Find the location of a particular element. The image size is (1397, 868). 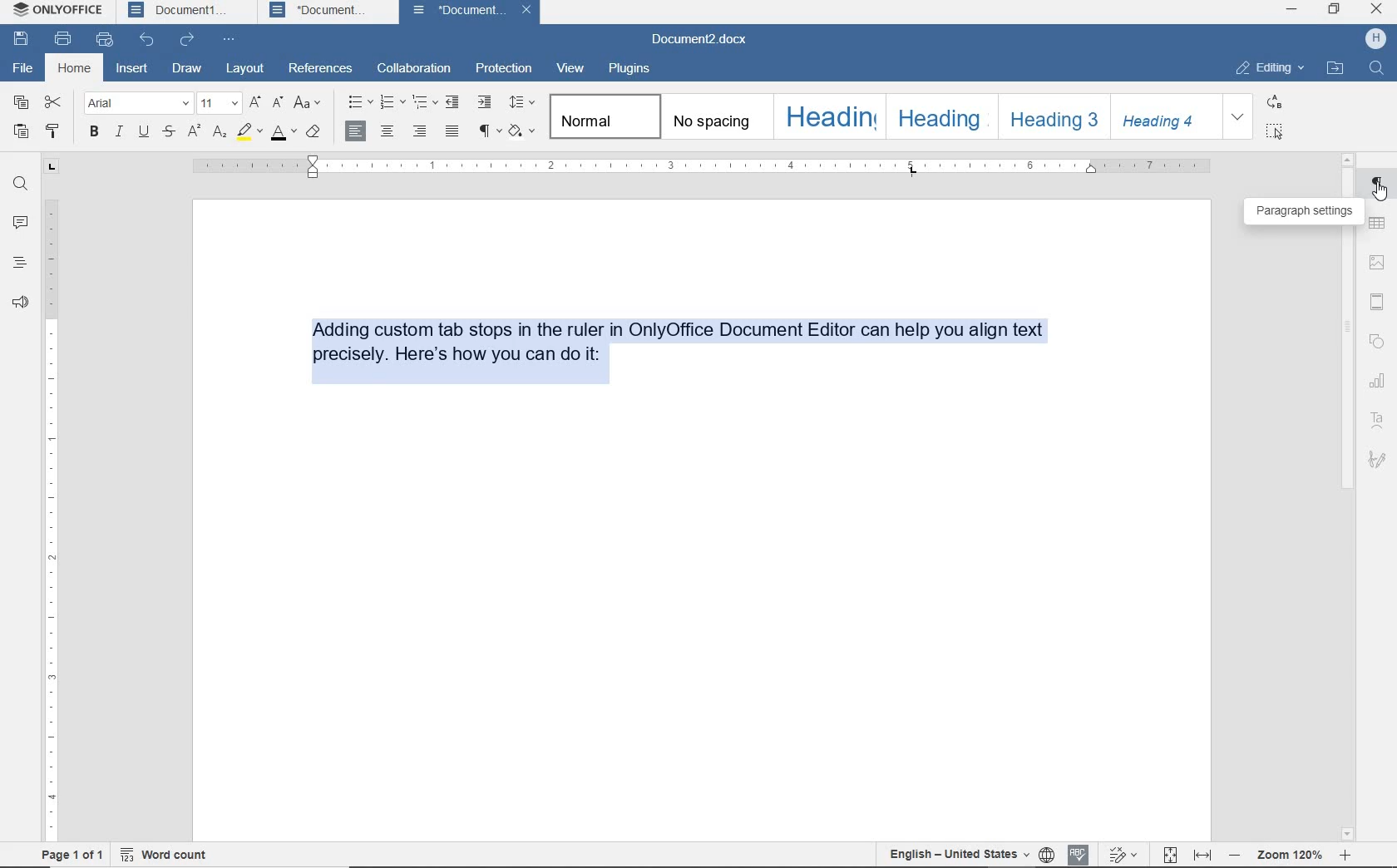

heading 3 is located at coordinates (1054, 118).